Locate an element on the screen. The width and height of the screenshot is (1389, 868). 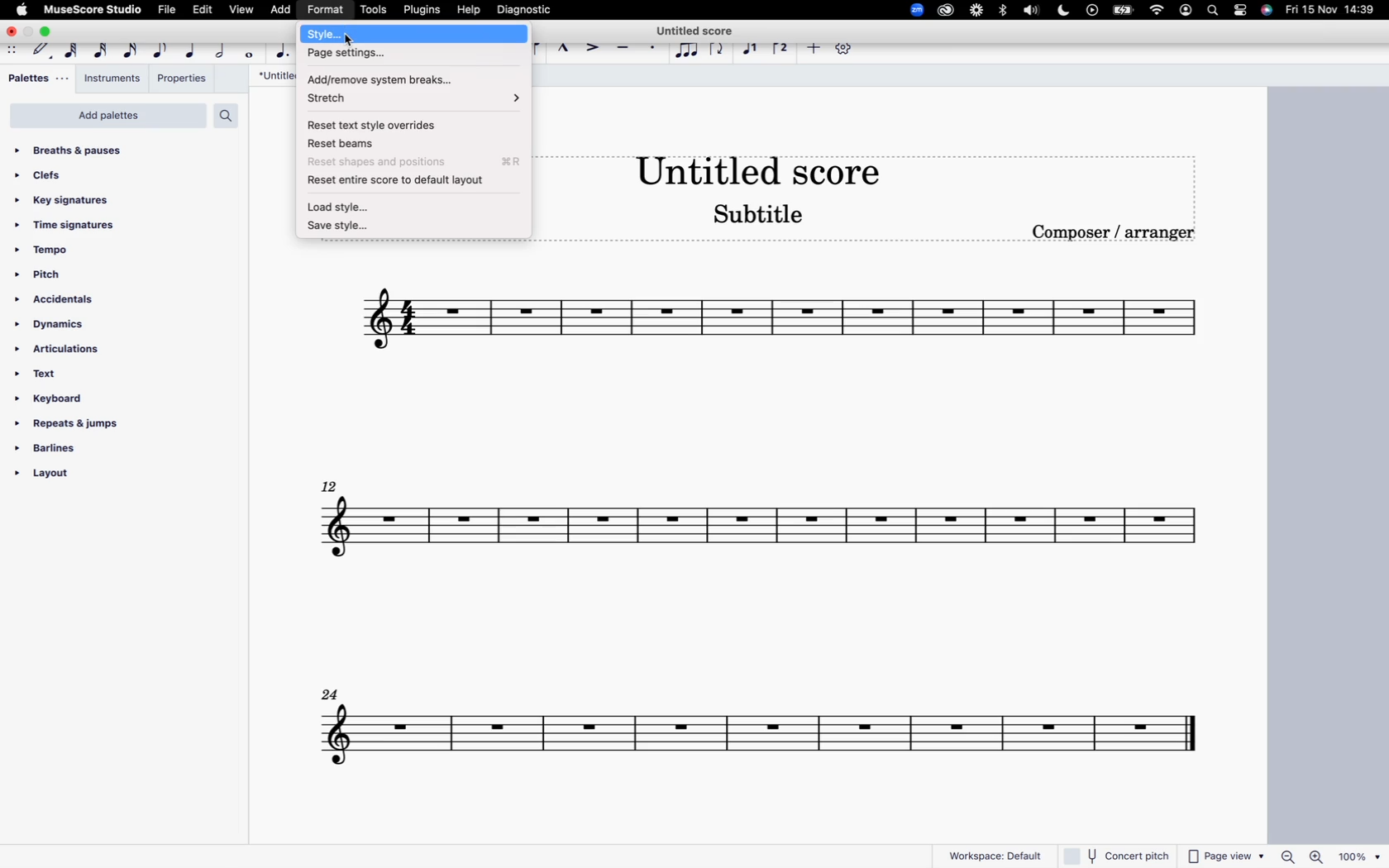
volume is located at coordinates (1030, 11).